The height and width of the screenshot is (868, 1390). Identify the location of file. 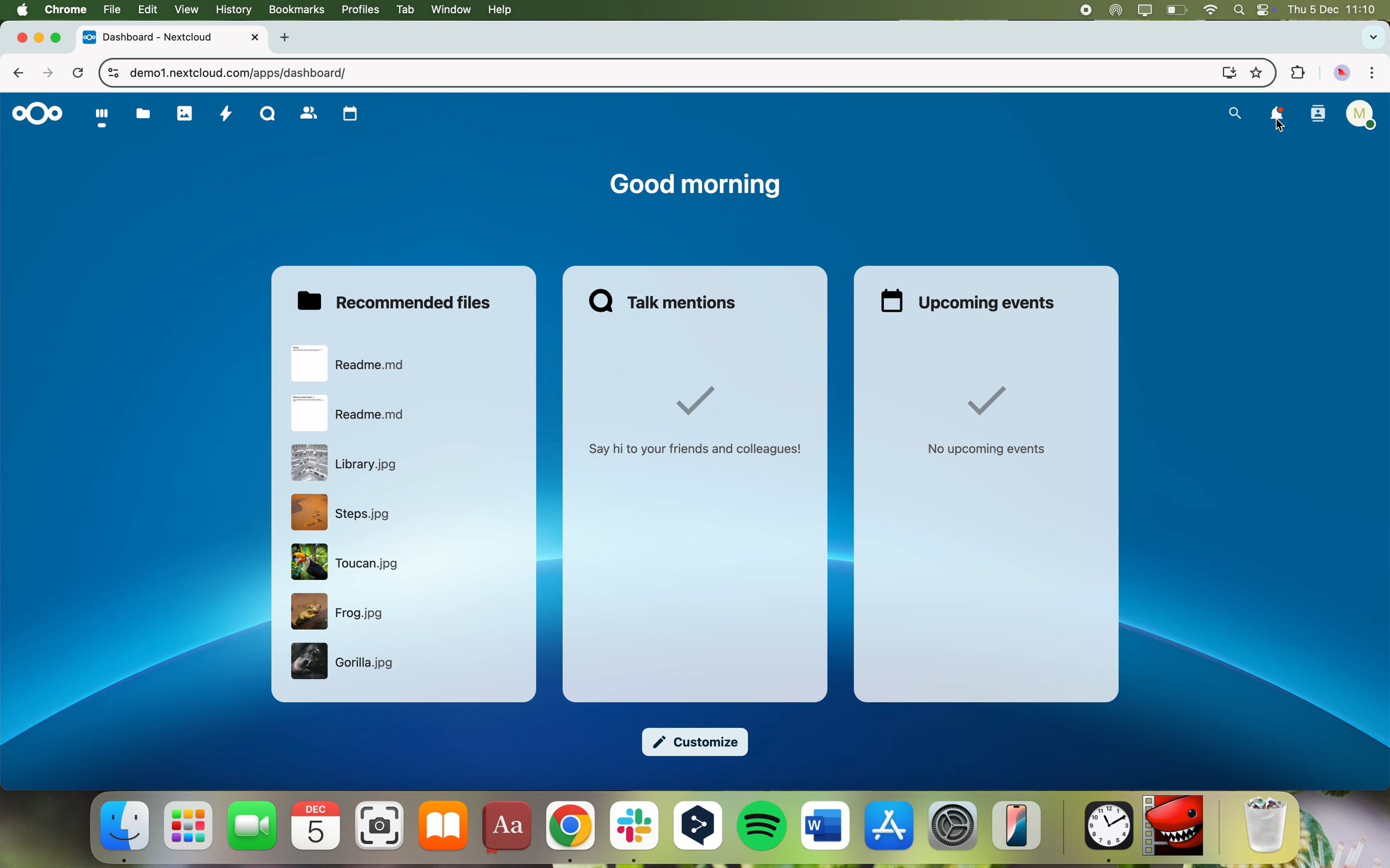
(346, 563).